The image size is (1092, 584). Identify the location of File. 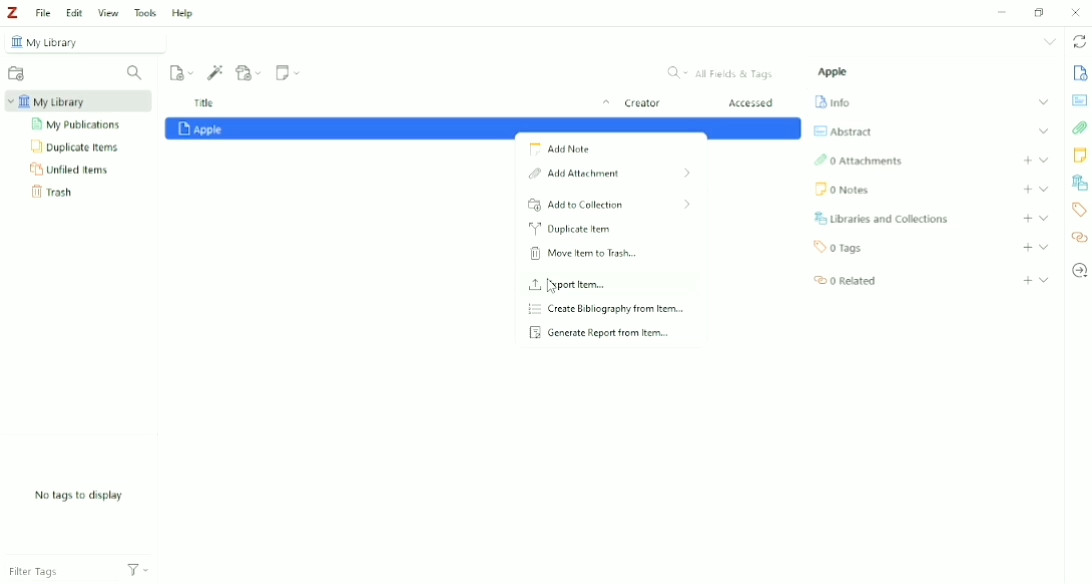
(44, 14).